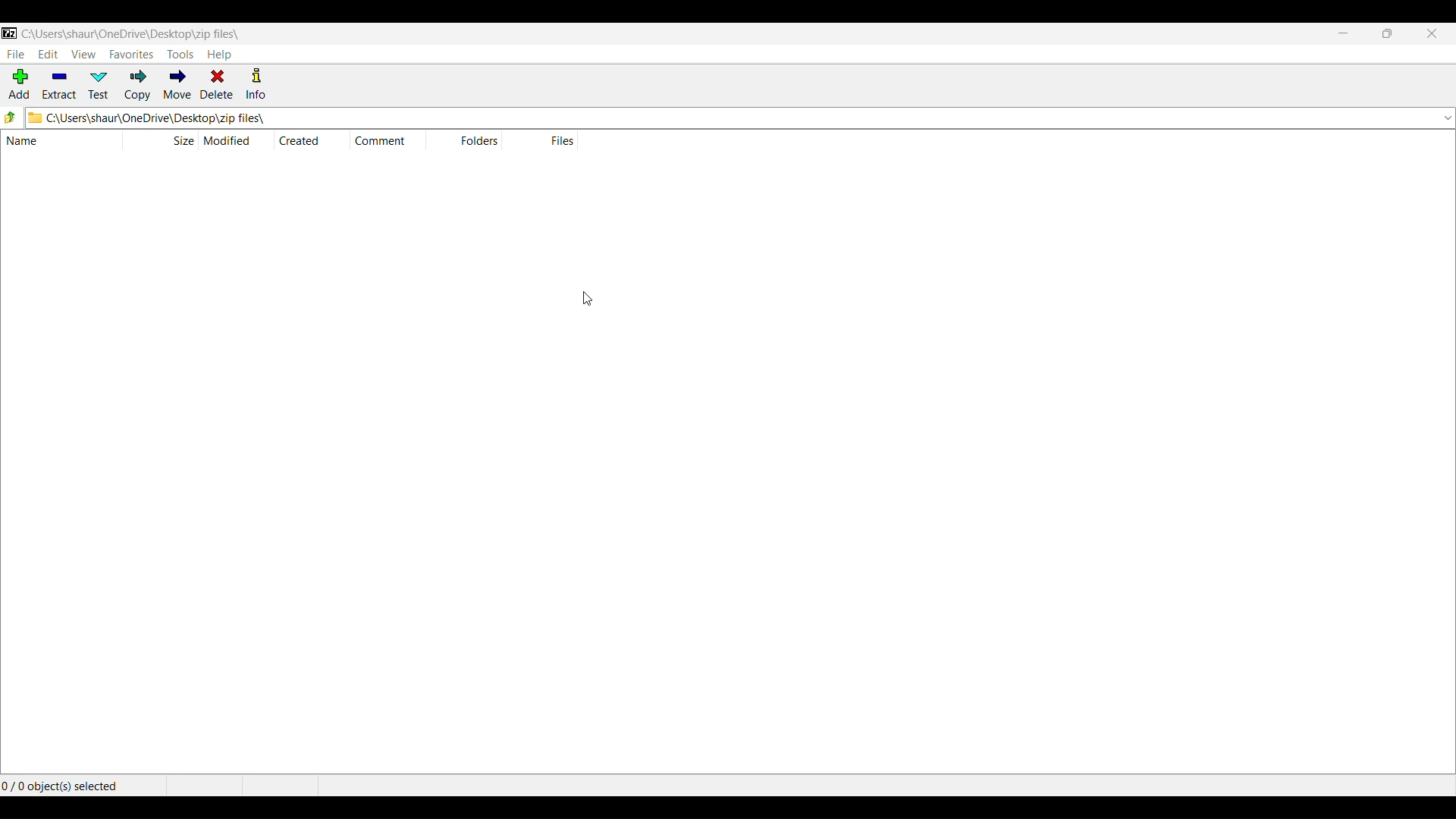  I want to click on NUMBER OF OBJECT SELECTED, so click(80, 783).